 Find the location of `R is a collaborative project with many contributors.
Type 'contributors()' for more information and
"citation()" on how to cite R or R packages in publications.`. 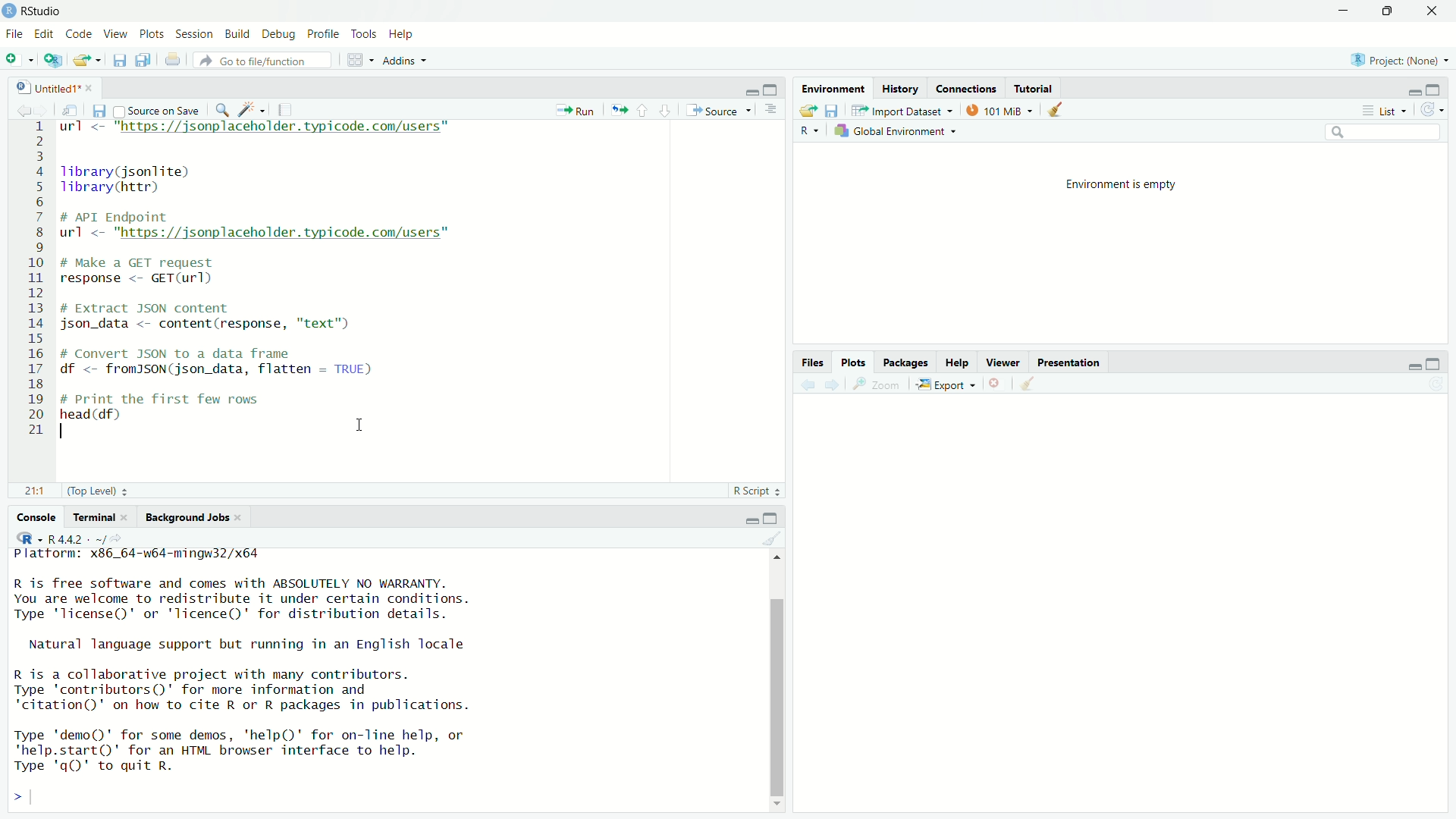

R is a collaborative project with many contributors.
Type 'contributors()' for more information and
"citation()" on how to cite R or R packages in publications. is located at coordinates (241, 692).